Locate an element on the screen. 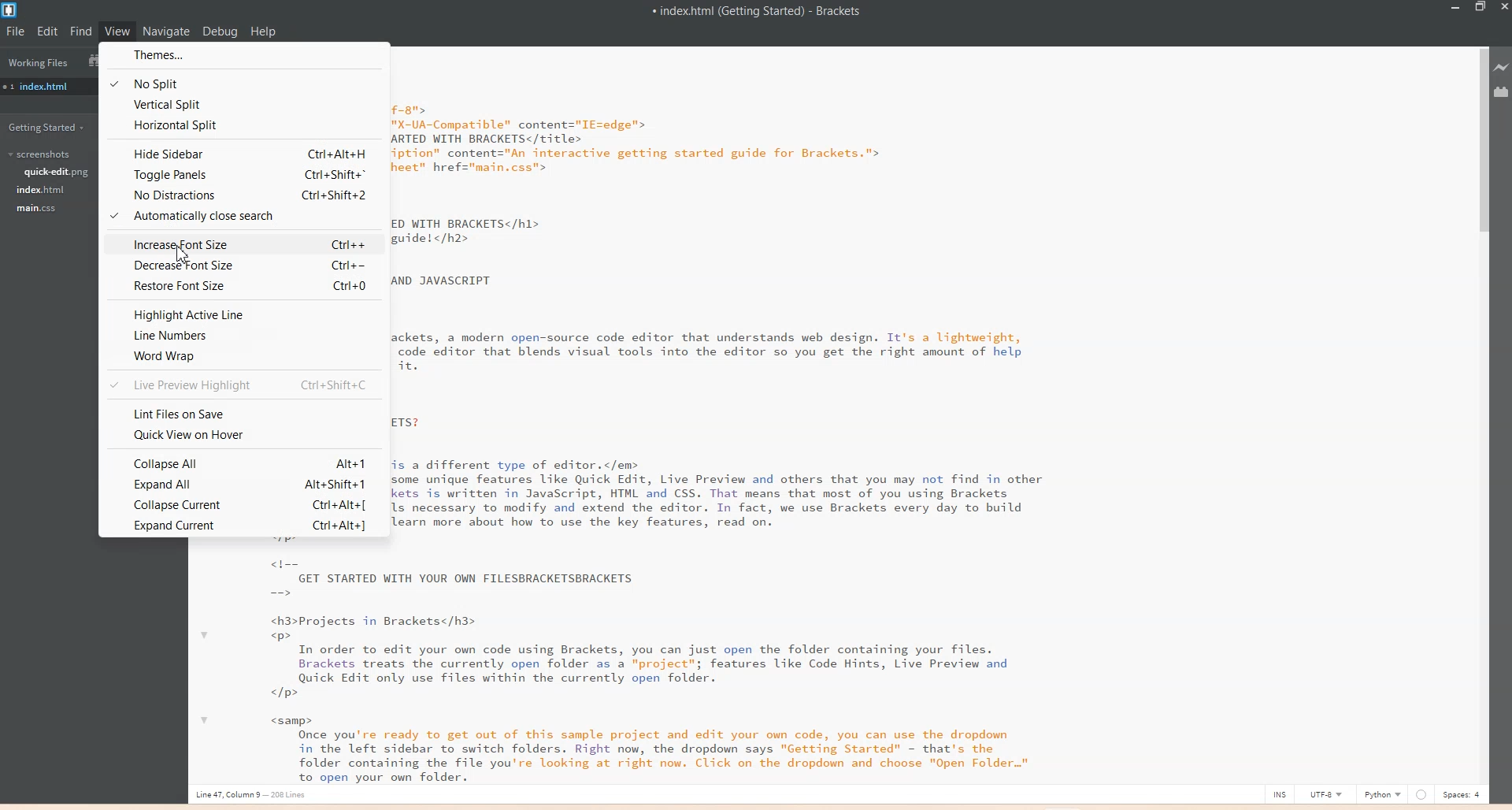 The width and height of the screenshot is (1512, 810). Minimize is located at coordinates (1457, 8).